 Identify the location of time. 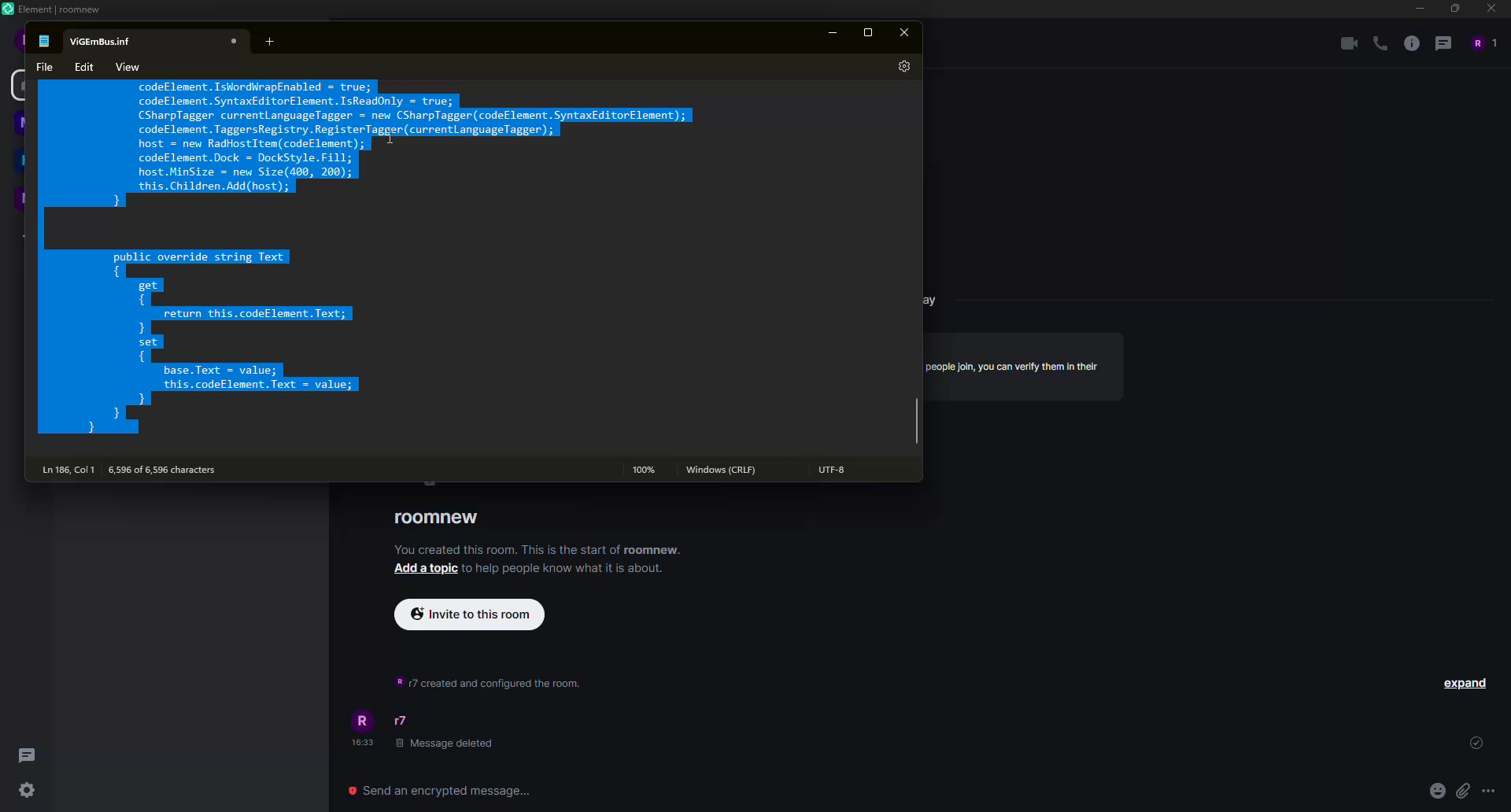
(364, 744).